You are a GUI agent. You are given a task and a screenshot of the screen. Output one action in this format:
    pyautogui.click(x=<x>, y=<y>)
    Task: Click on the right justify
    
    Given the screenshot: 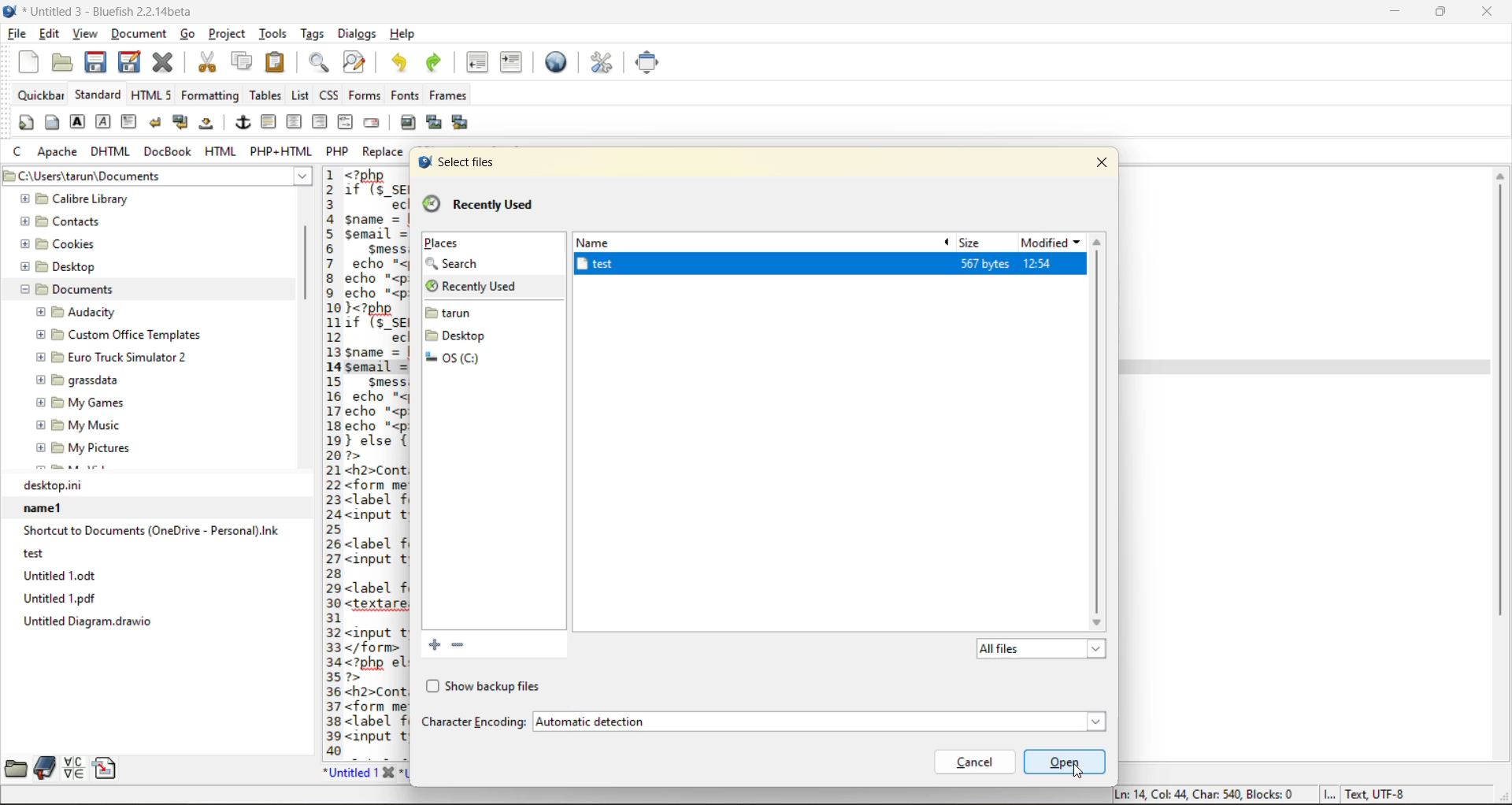 What is the action you would take?
    pyautogui.click(x=320, y=122)
    